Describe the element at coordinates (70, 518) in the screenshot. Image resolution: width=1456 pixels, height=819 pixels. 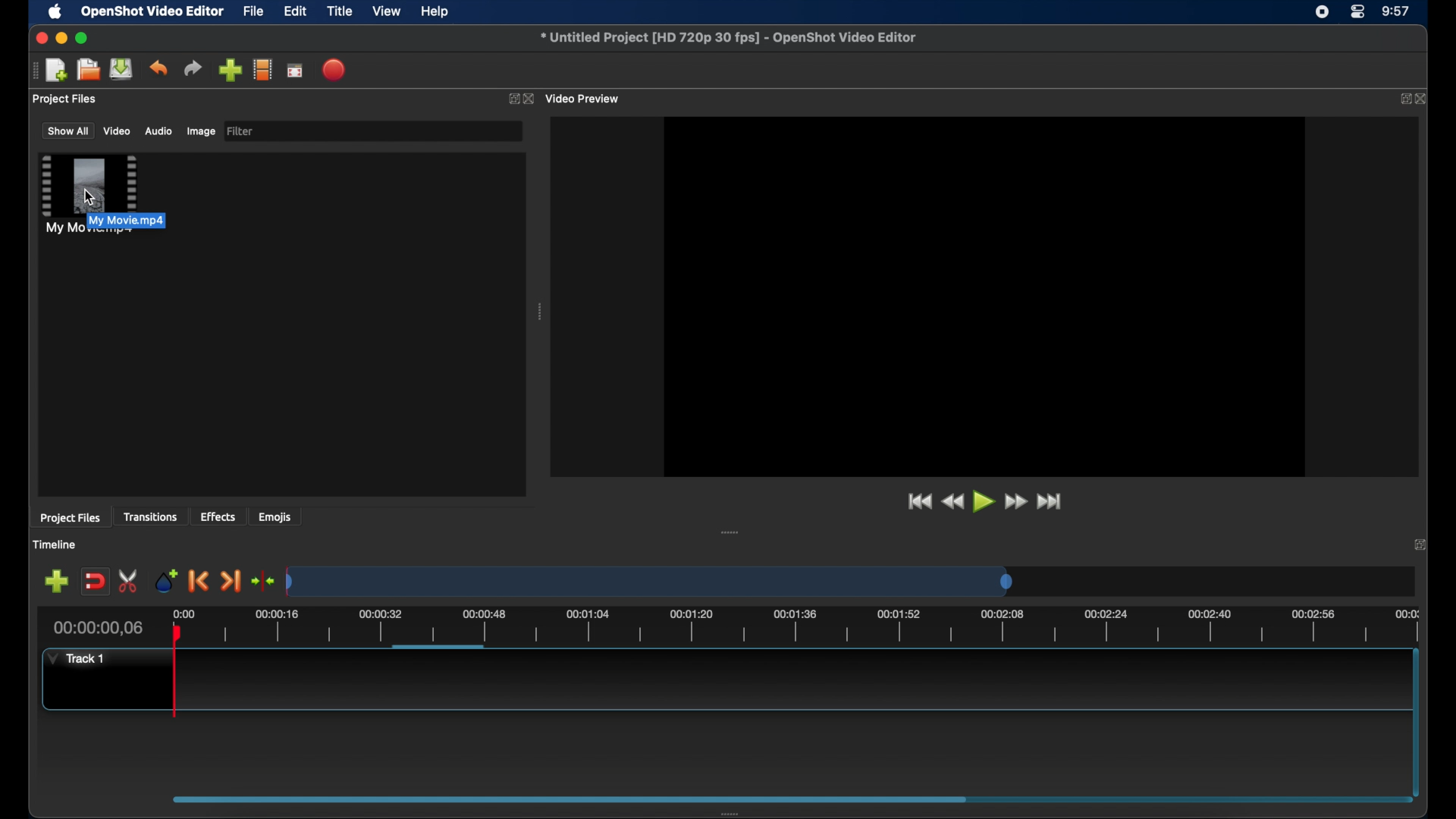
I see `project files` at that location.